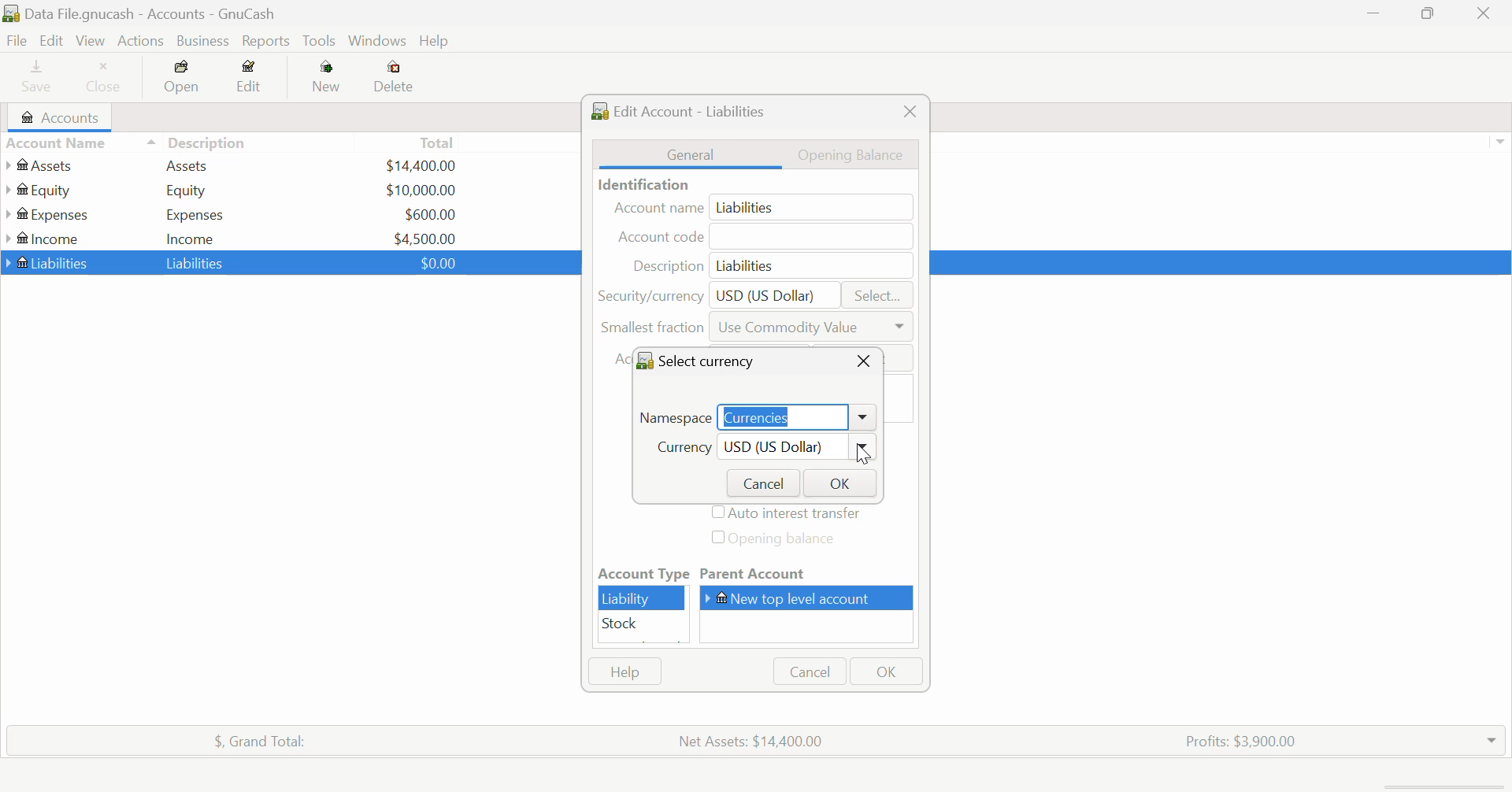 This screenshot has width=1512, height=792. I want to click on Description, so click(197, 141).